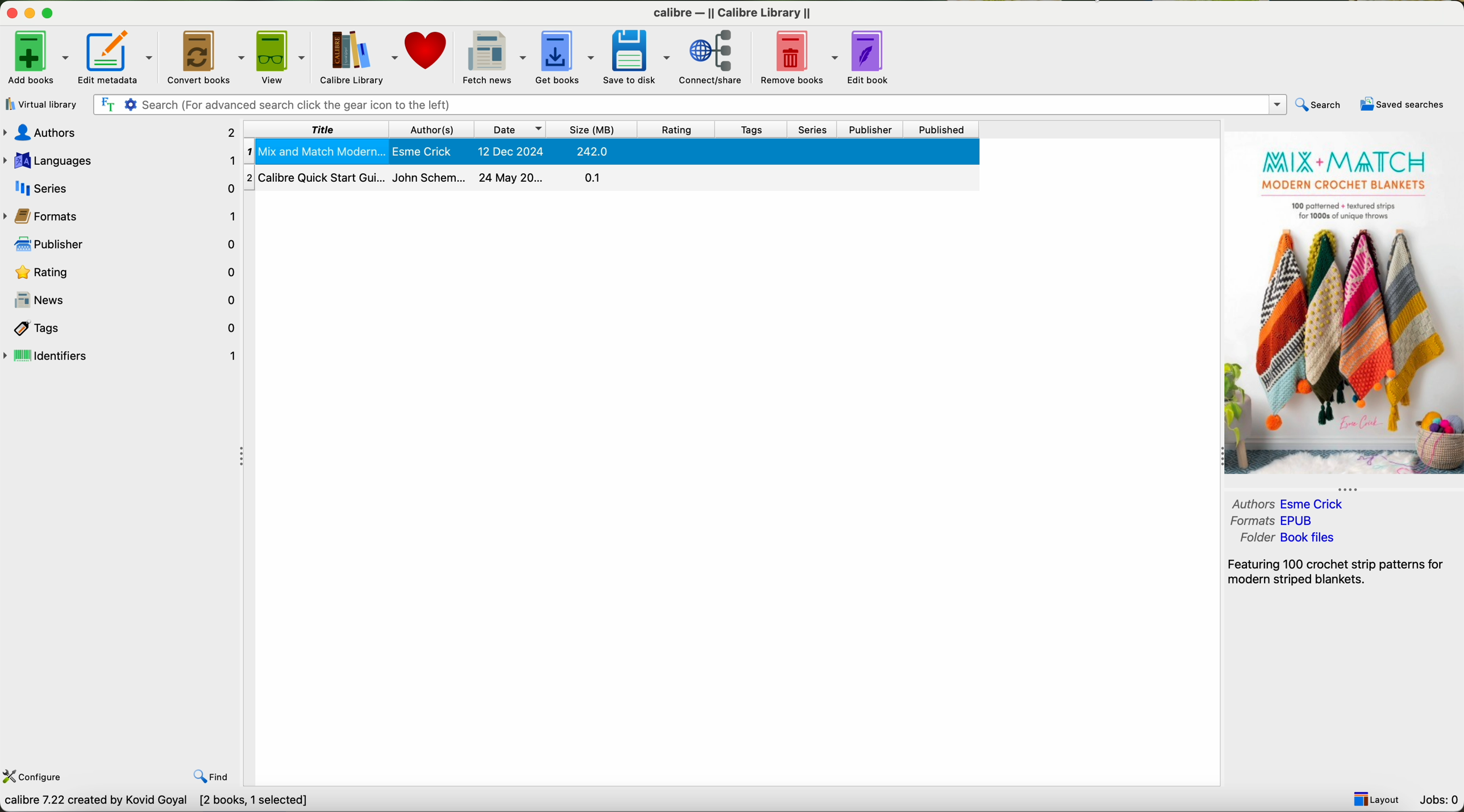  I want to click on close program, so click(12, 13).